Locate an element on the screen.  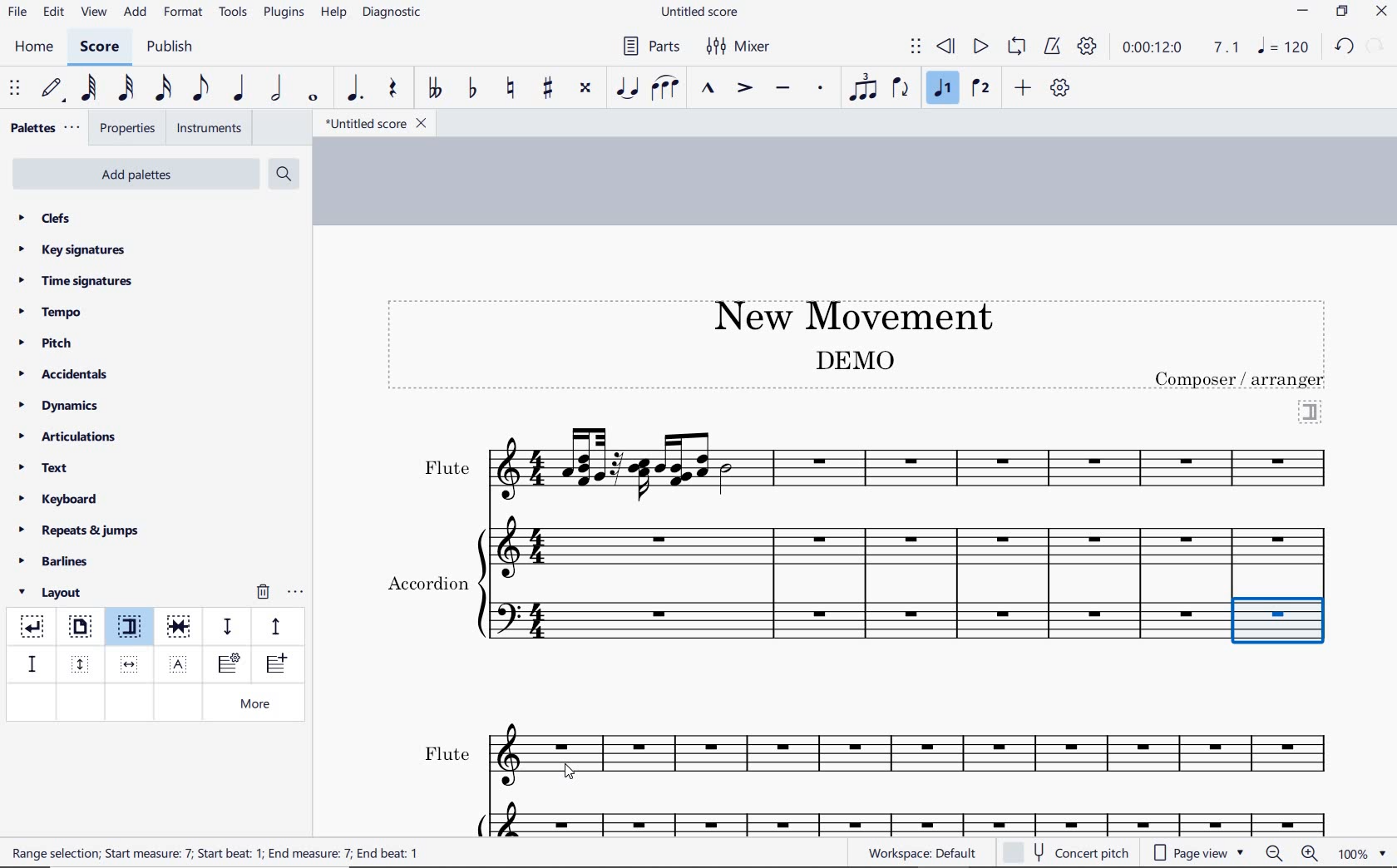
zoom out is located at coordinates (1276, 853).